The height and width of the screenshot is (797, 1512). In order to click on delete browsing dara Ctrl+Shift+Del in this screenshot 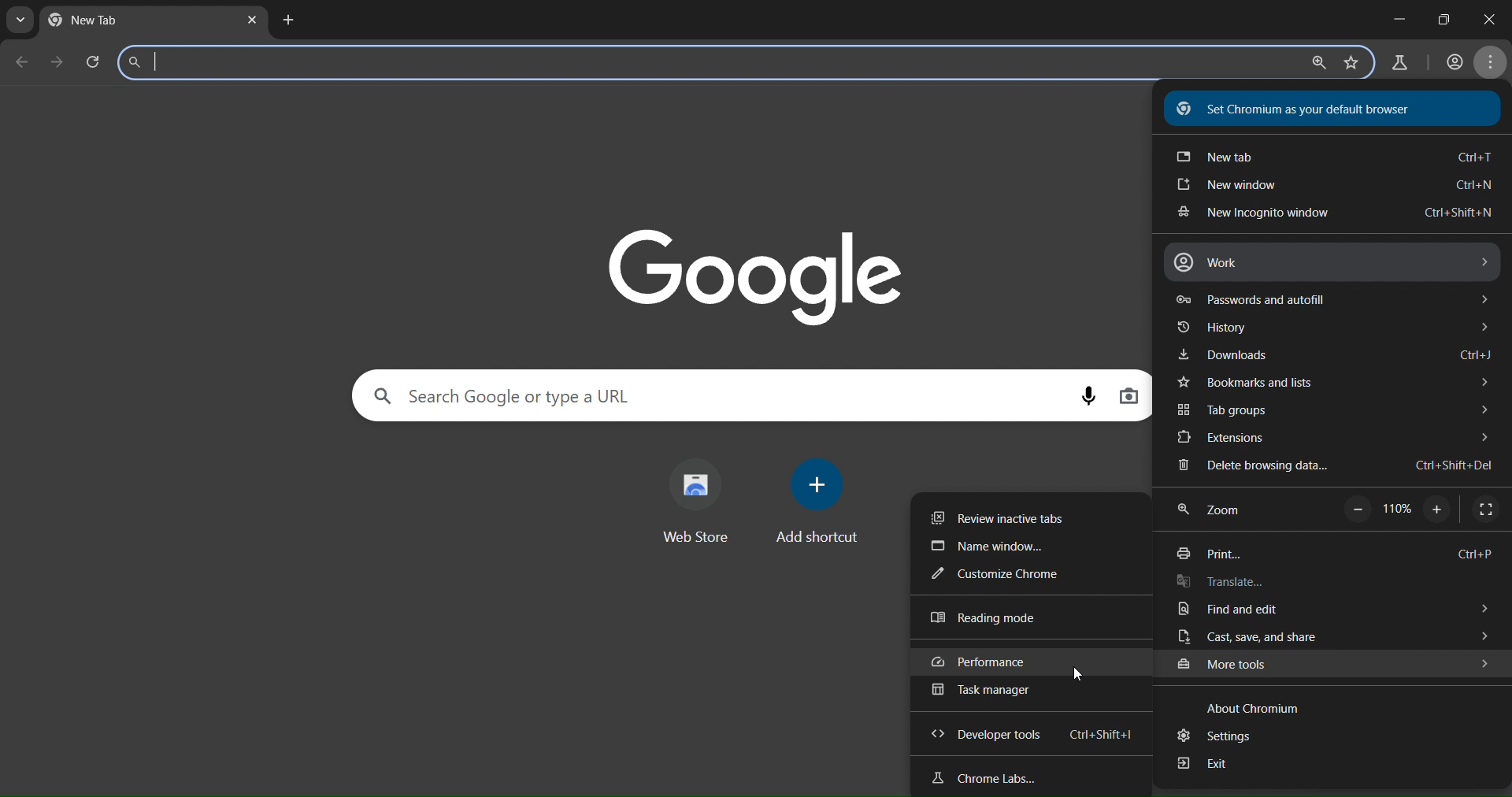, I will do `click(1333, 466)`.